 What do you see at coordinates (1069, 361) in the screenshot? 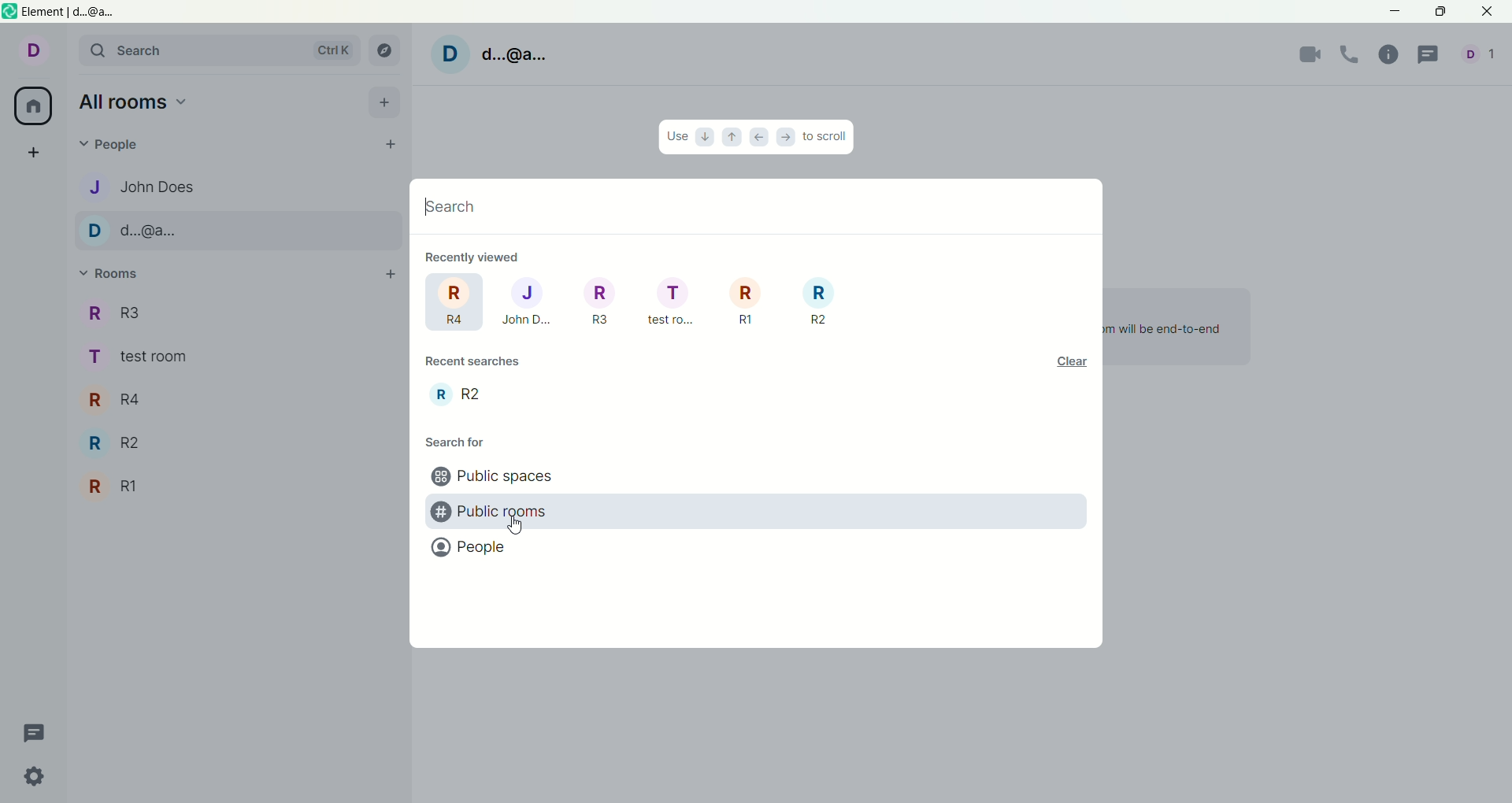
I see `clear` at bounding box center [1069, 361].